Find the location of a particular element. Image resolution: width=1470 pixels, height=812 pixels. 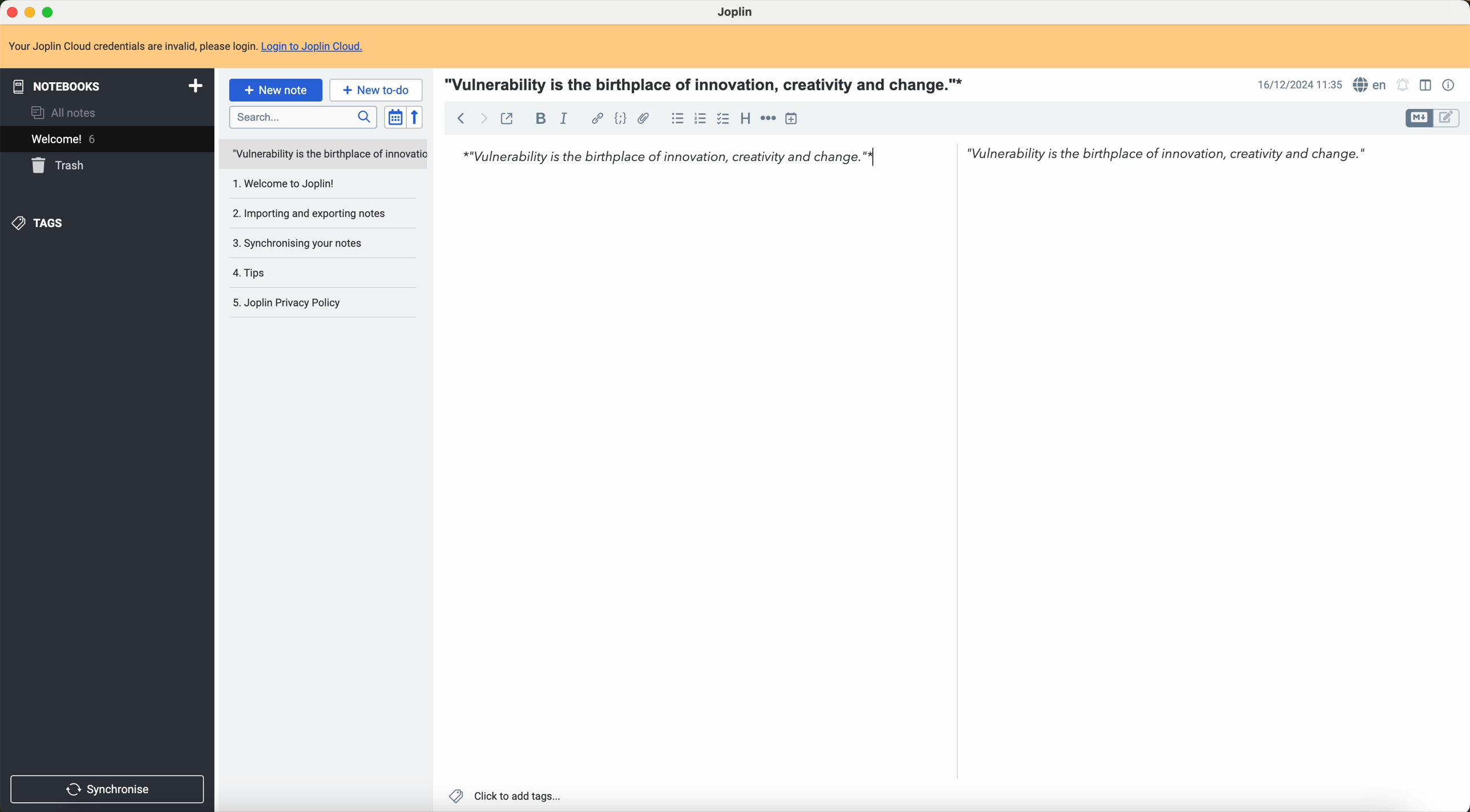

toggle editor is located at coordinates (1447, 120).